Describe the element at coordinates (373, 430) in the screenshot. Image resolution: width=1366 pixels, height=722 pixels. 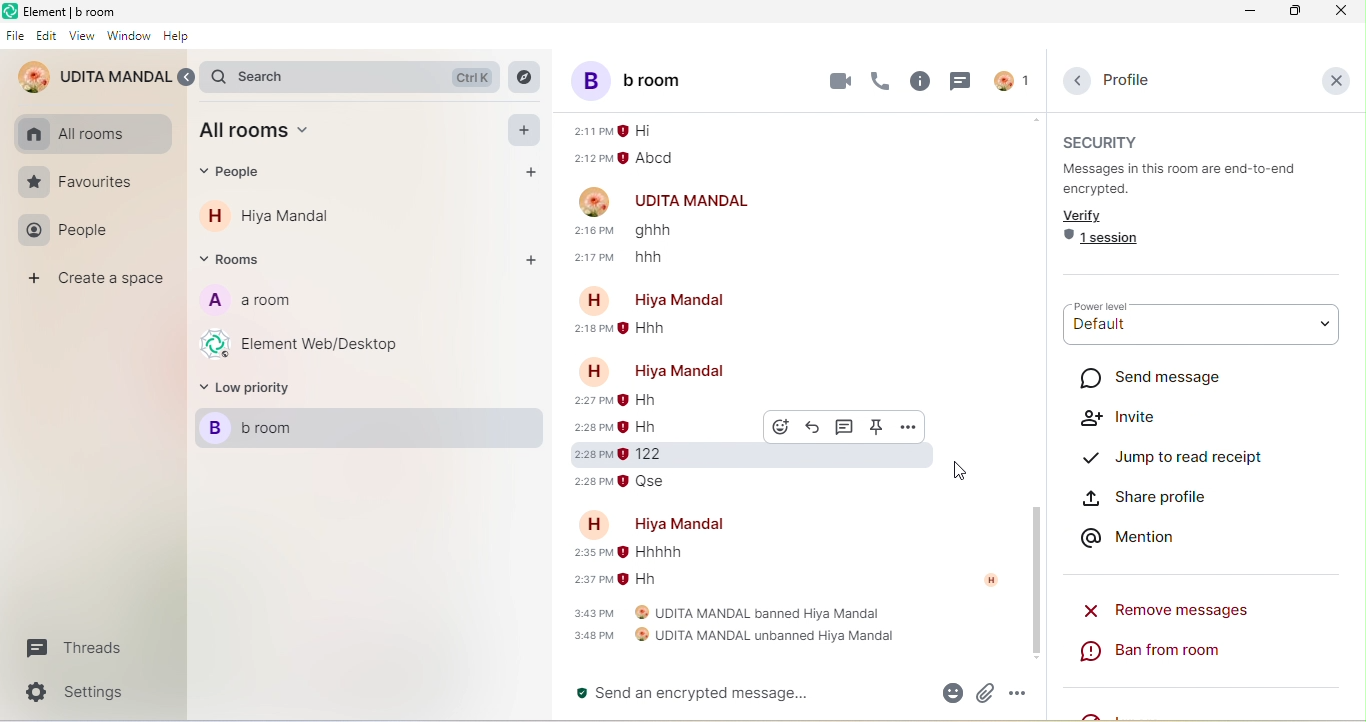
I see `b room` at that location.